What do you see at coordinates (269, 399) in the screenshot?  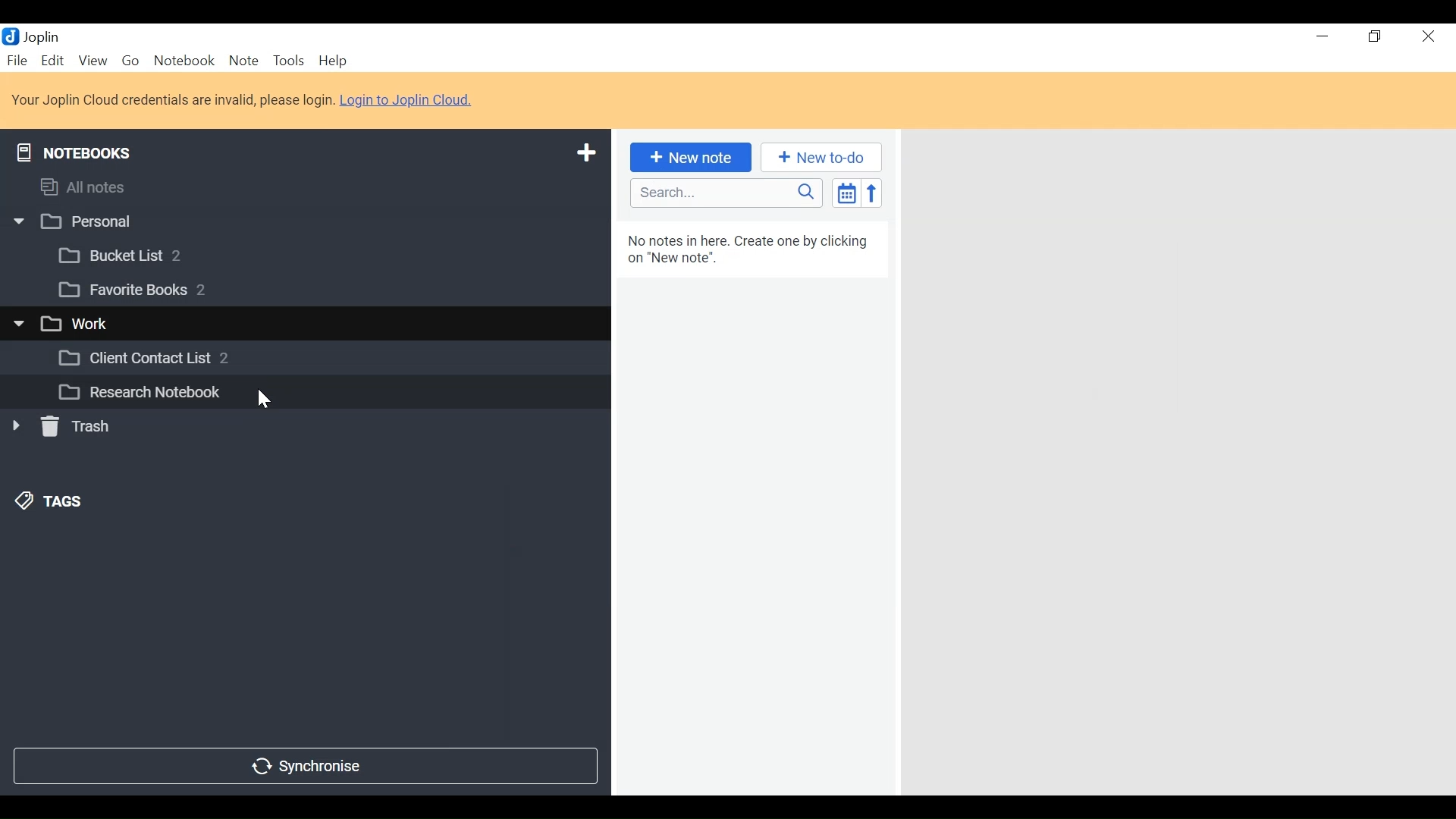 I see `cursor` at bounding box center [269, 399].